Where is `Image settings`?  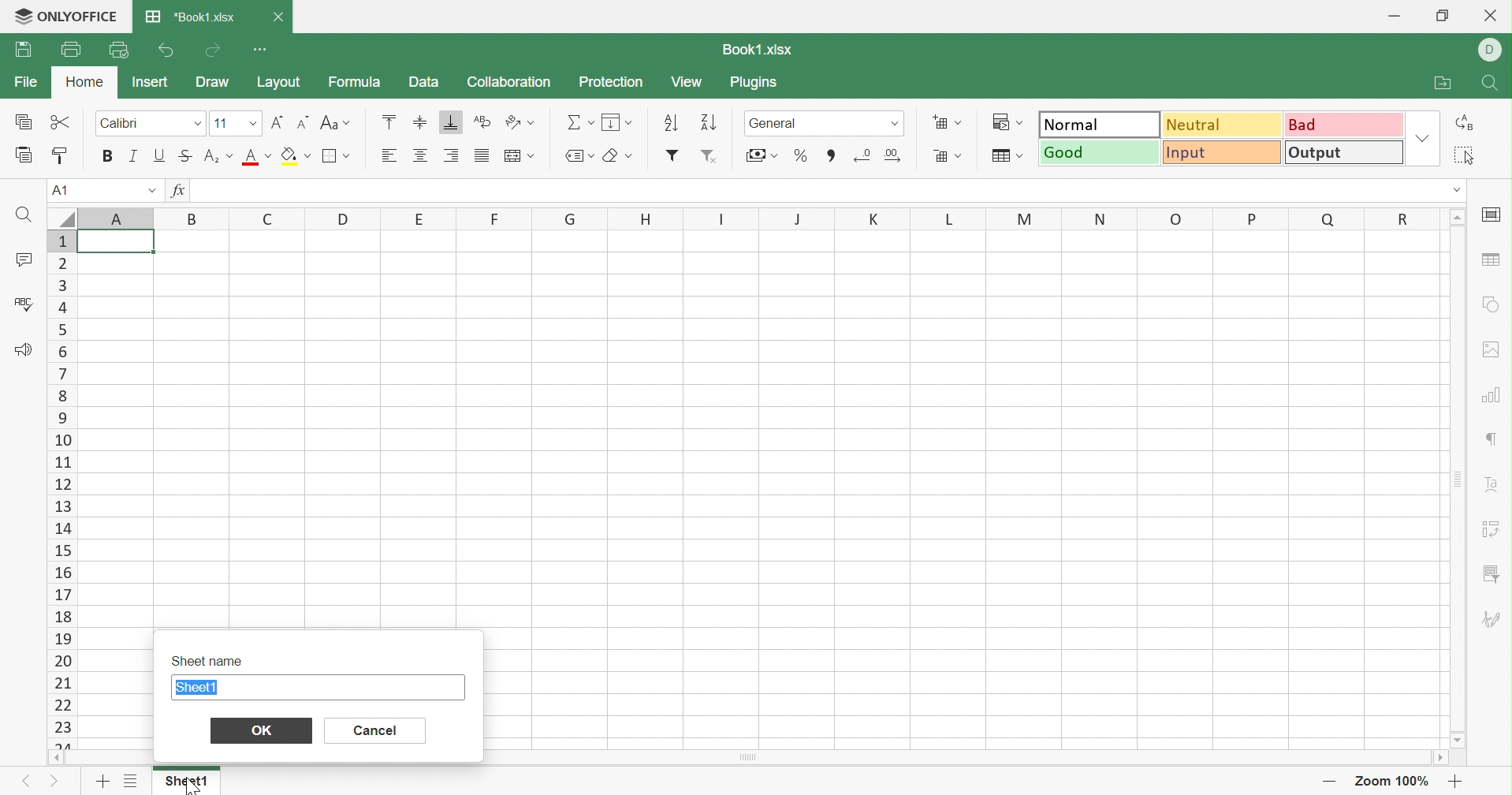 Image settings is located at coordinates (1492, 352).